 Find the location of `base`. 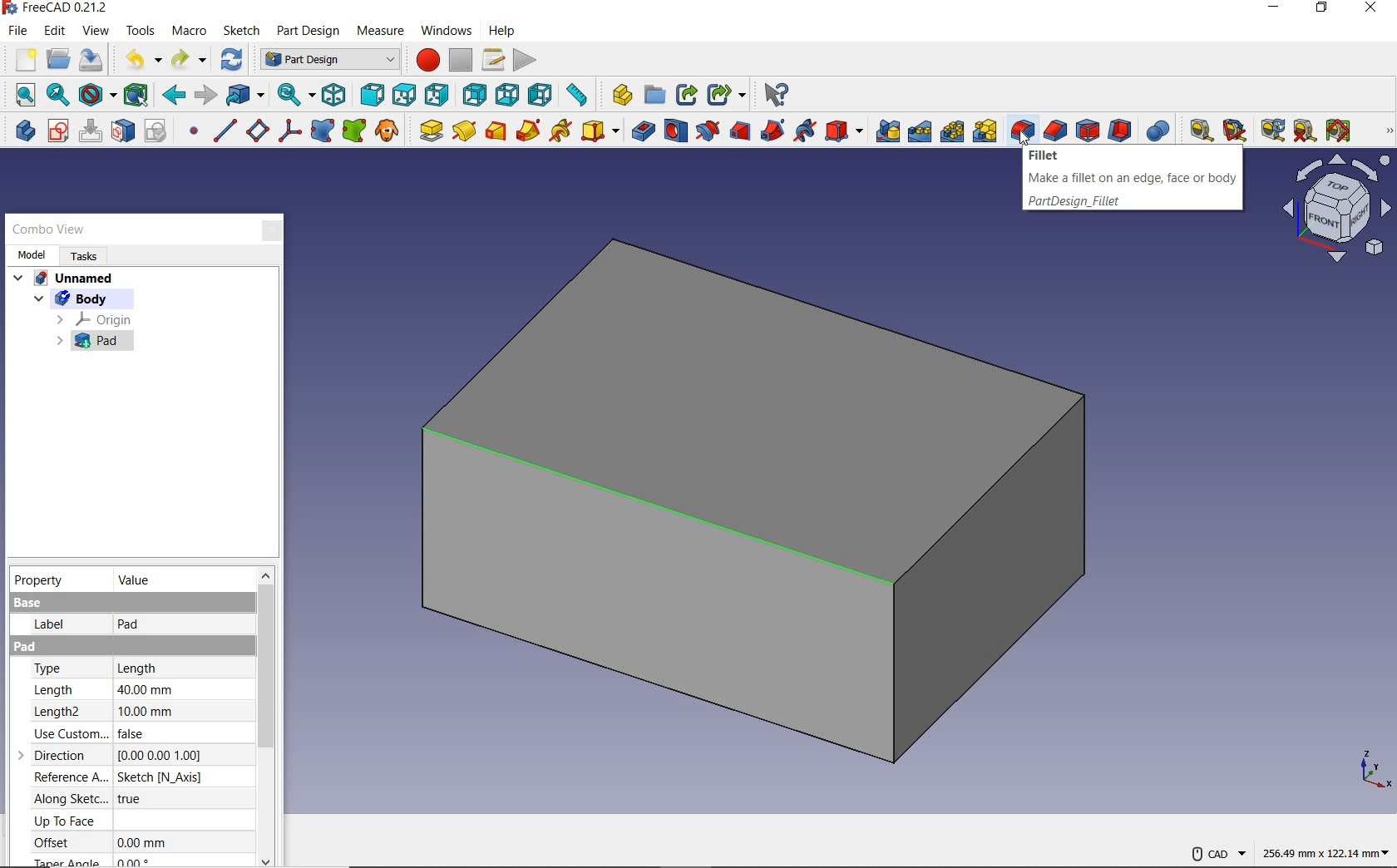

base is located at coordinates (26, 602).